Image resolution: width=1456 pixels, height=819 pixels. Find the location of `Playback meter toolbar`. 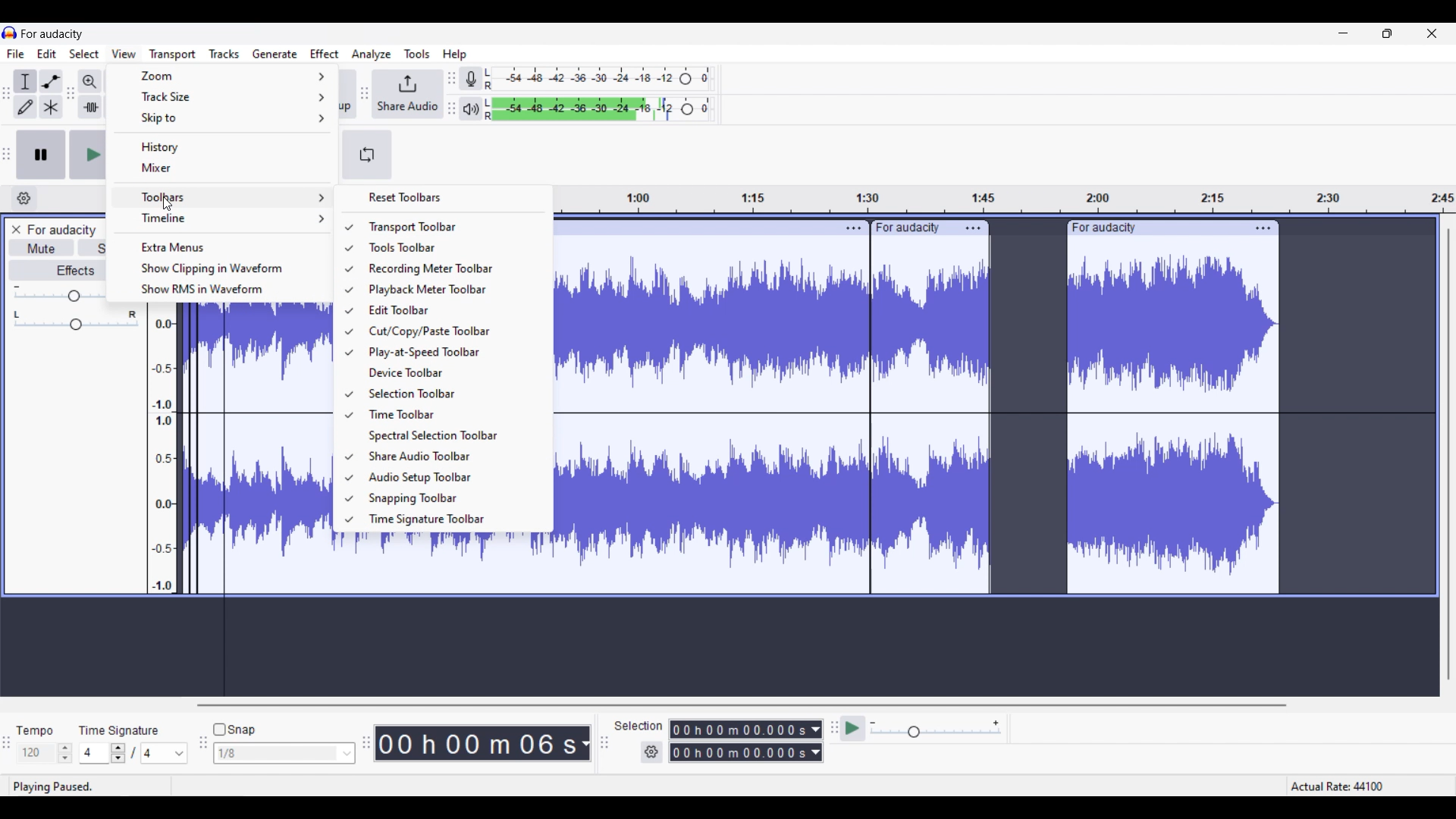

Playback meter toolbar is located at coordinates (450, 290).